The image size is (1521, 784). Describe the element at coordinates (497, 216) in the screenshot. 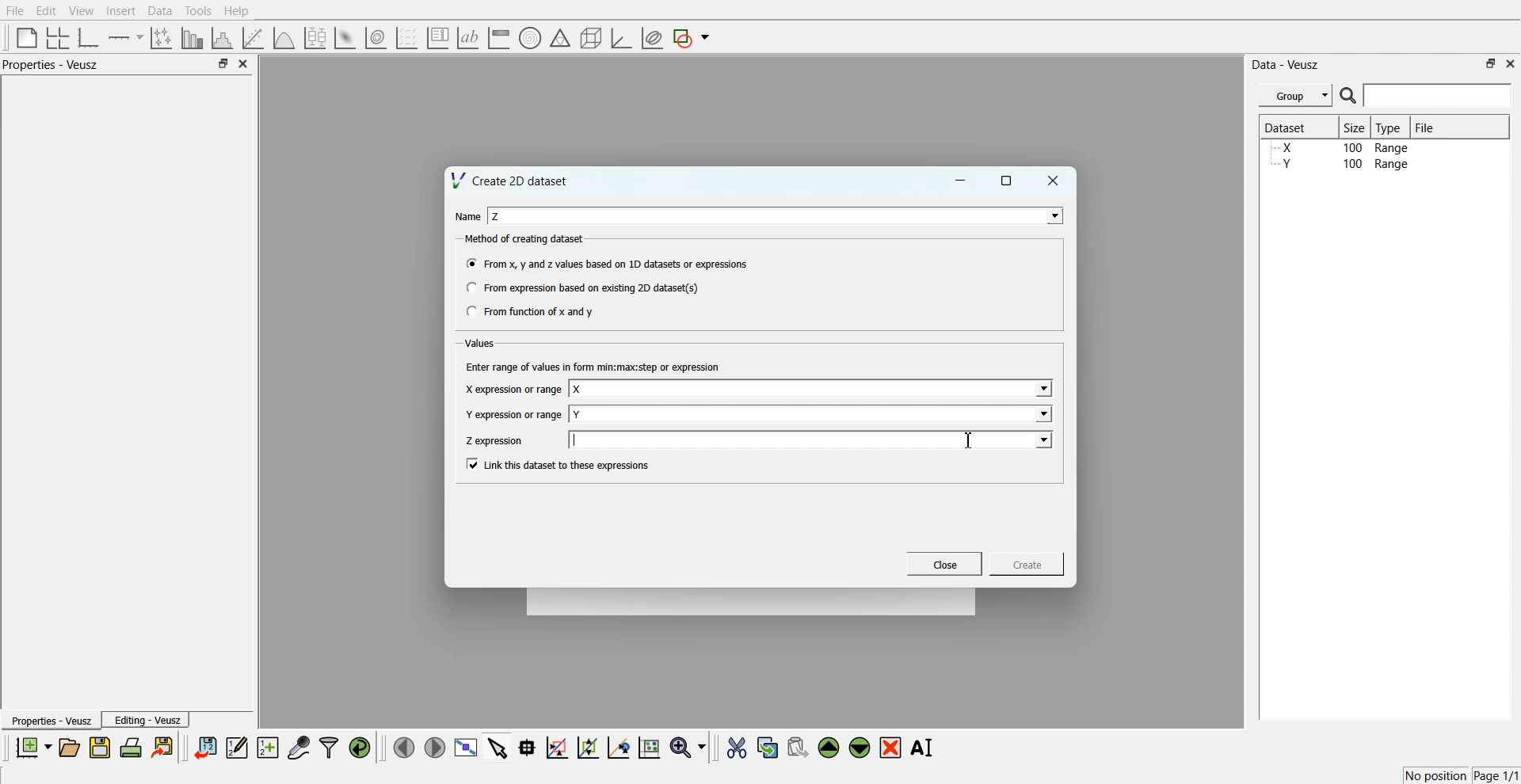

I see `Z` at that location.